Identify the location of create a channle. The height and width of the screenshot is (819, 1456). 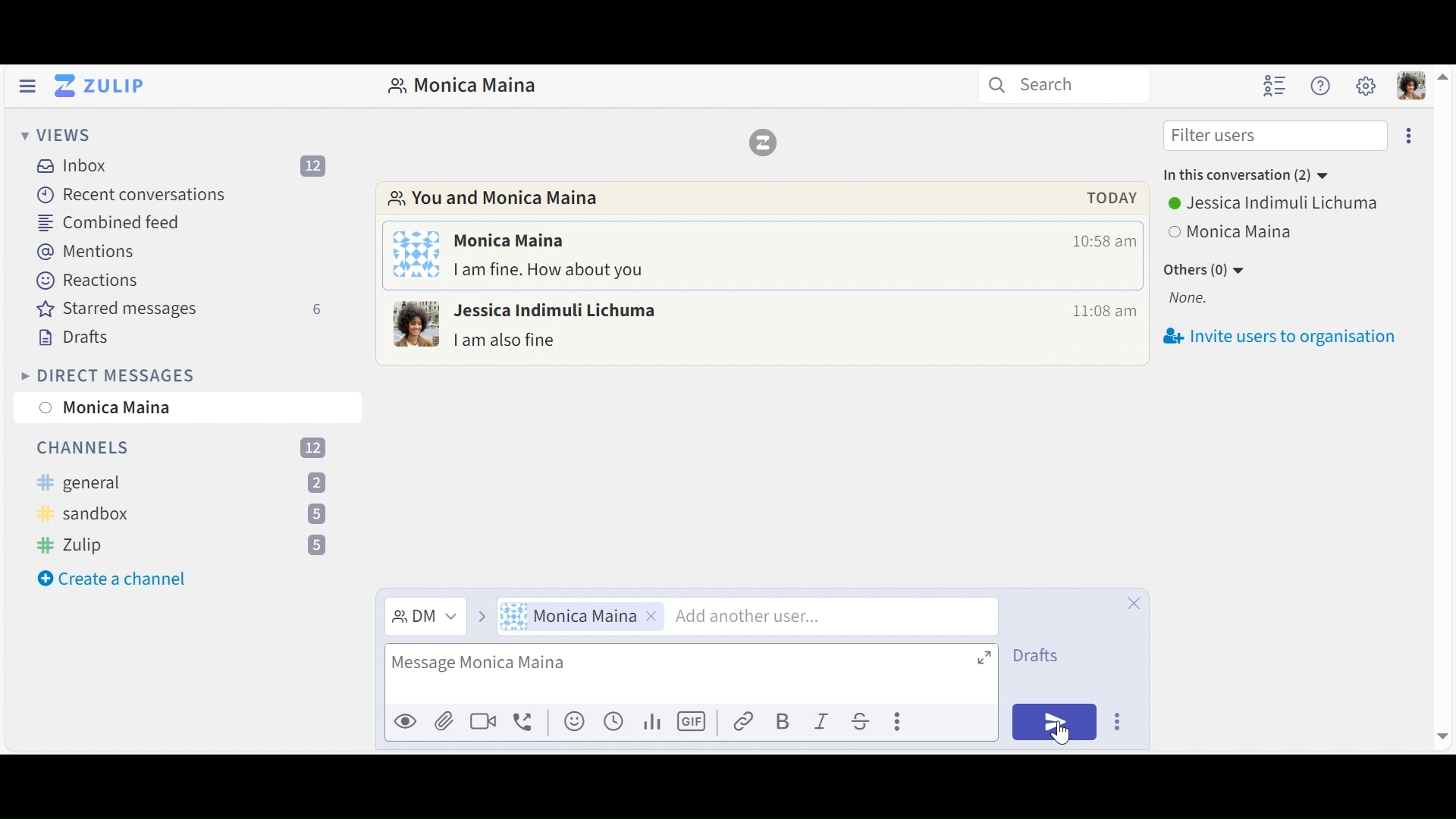
(117, 579).